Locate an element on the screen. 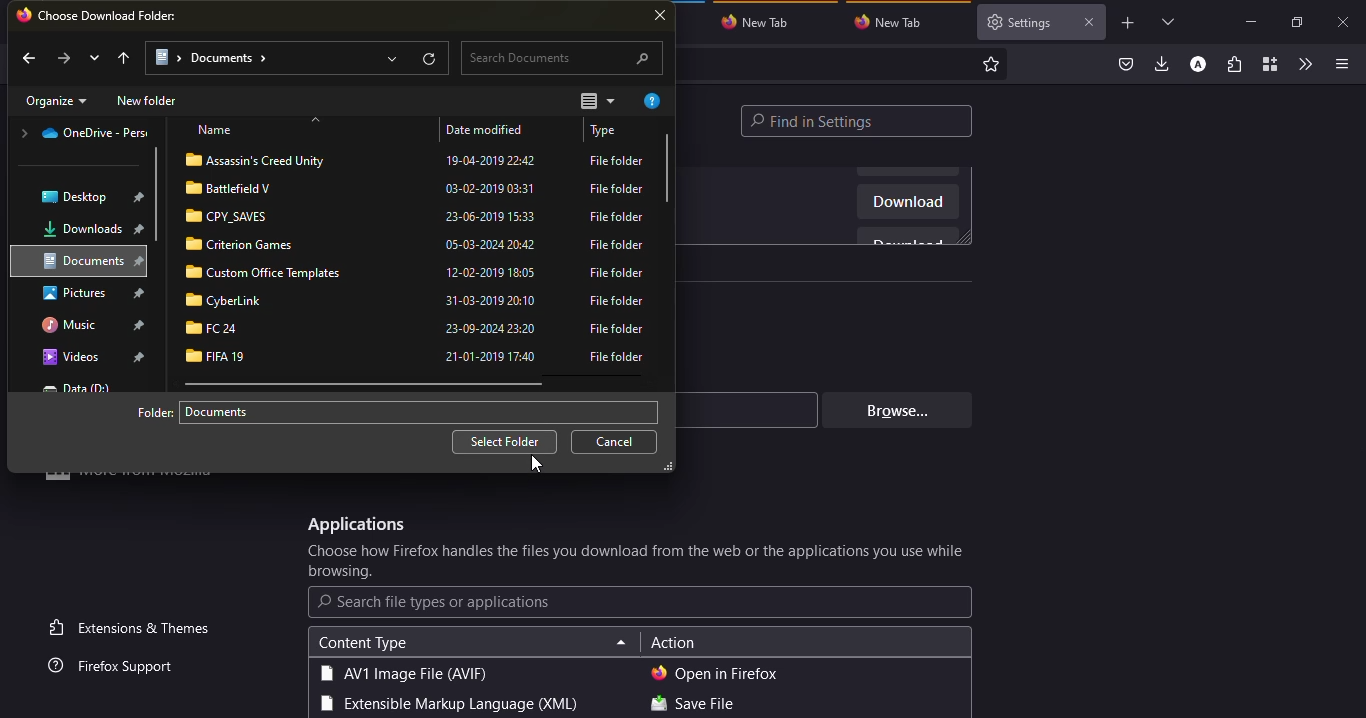  type is located at coordinates (614, 328).